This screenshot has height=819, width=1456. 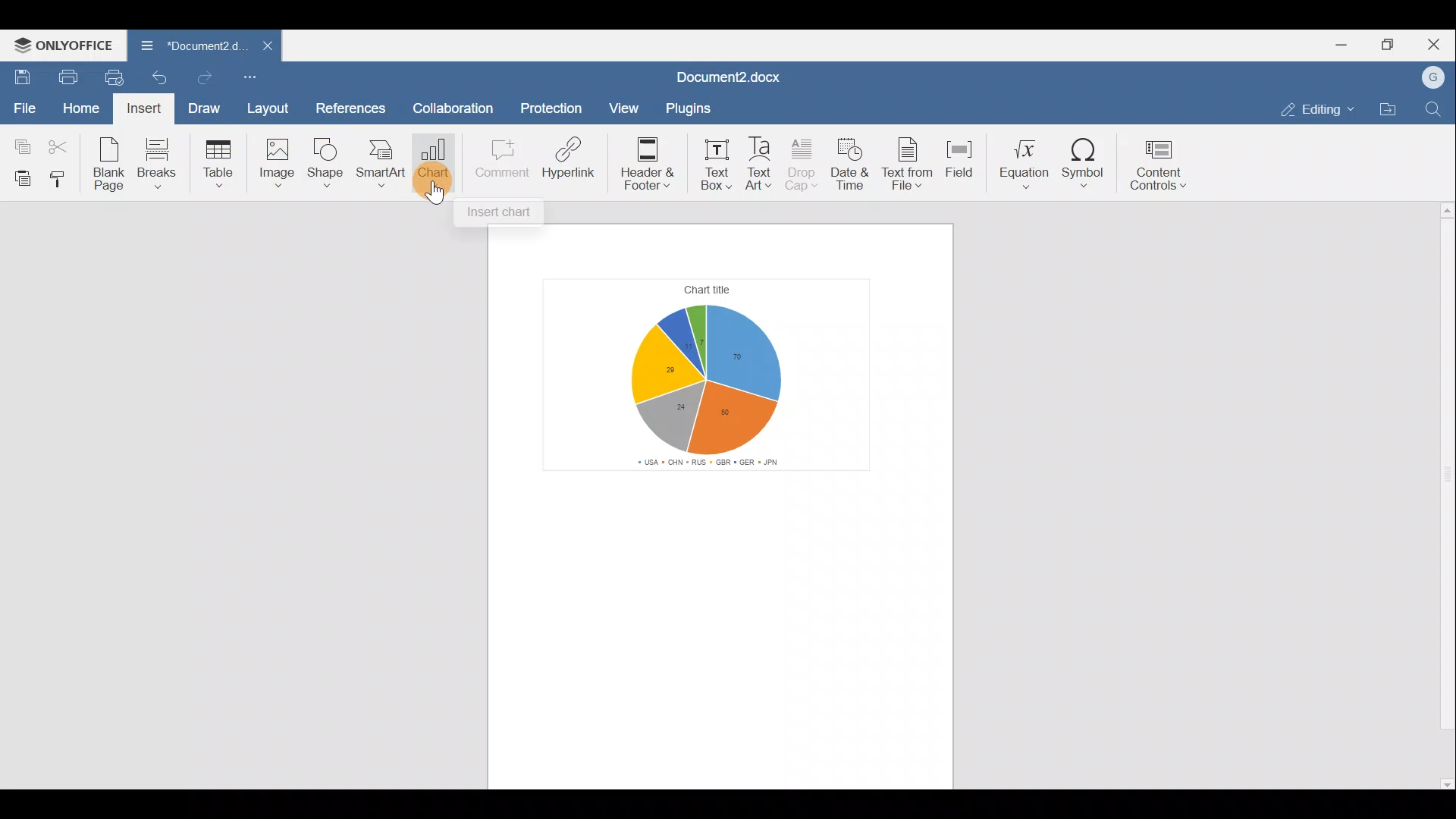 What do you see at coordinates (432, 200) in the screenshot?
I see `Cursor on chart` at bounding box center [432, 200].